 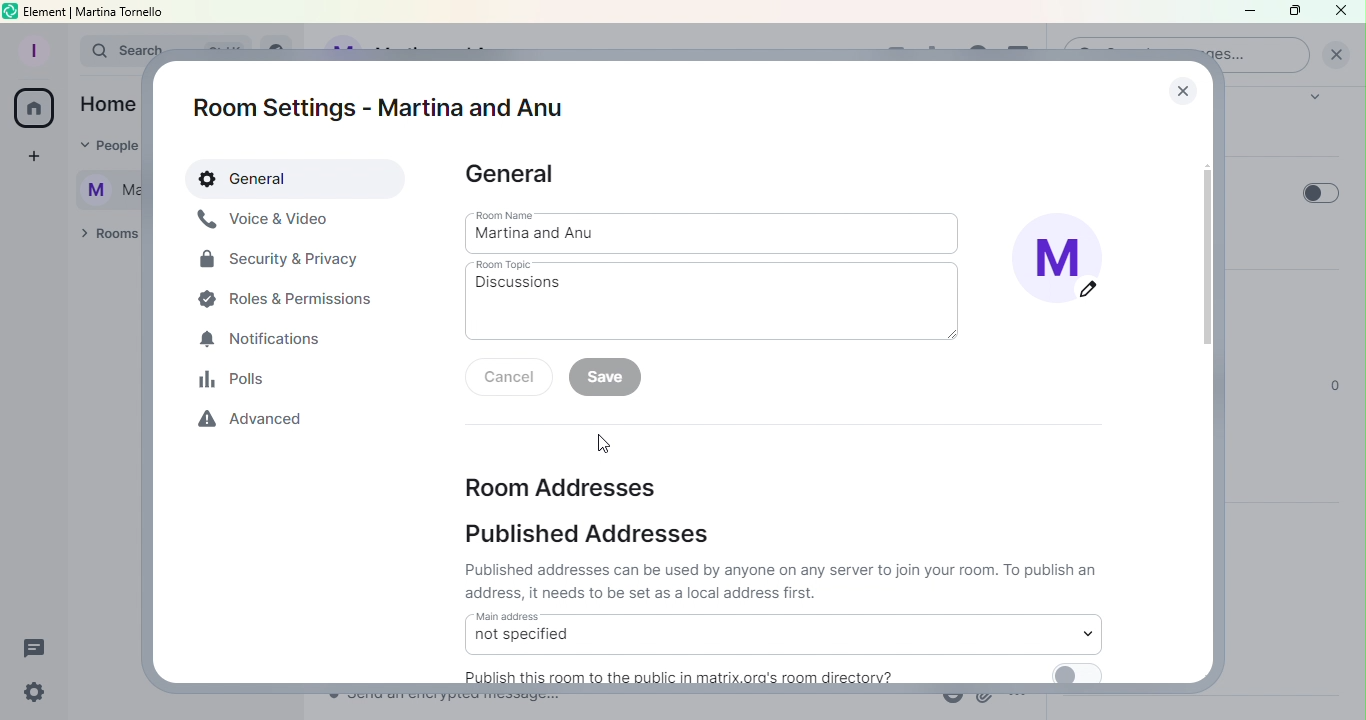 I want to click on Minimize, so click(x=1247, y=13).